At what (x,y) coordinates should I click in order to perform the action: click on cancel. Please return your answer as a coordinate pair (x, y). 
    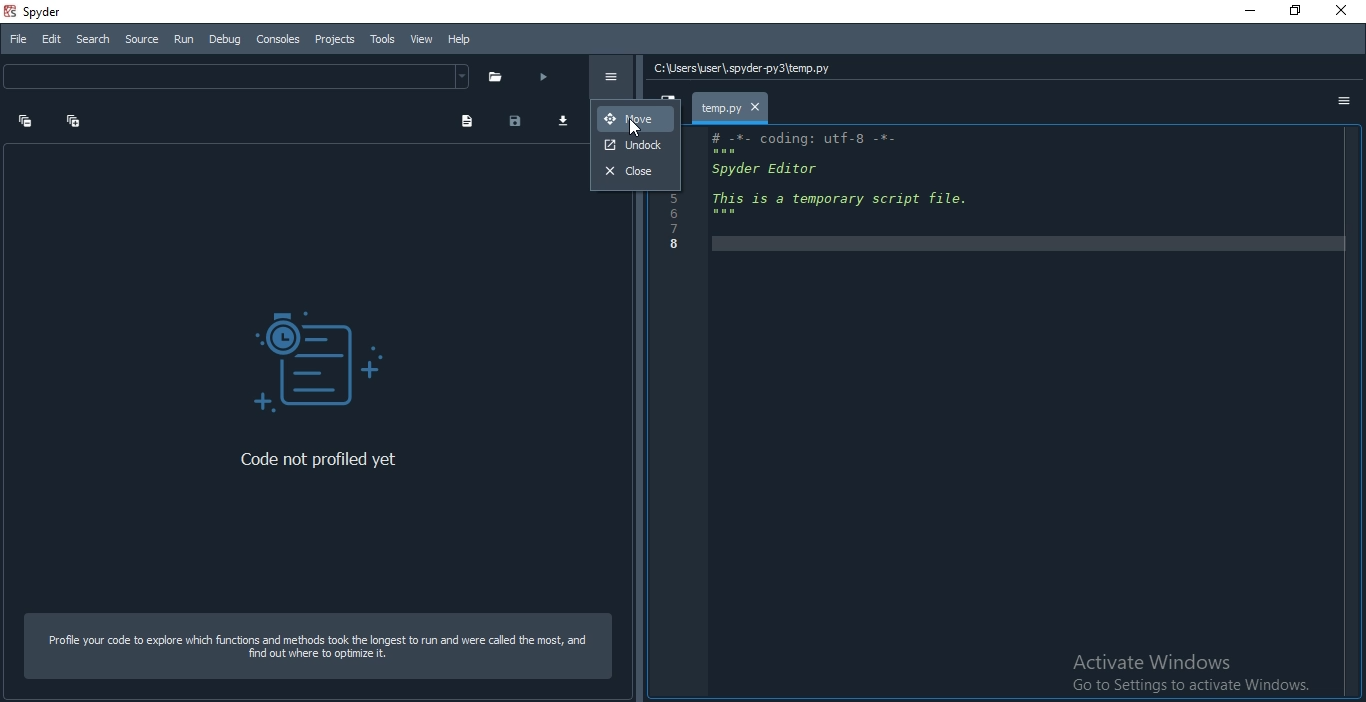
    Looking at the image, I should click on (1342, 11).